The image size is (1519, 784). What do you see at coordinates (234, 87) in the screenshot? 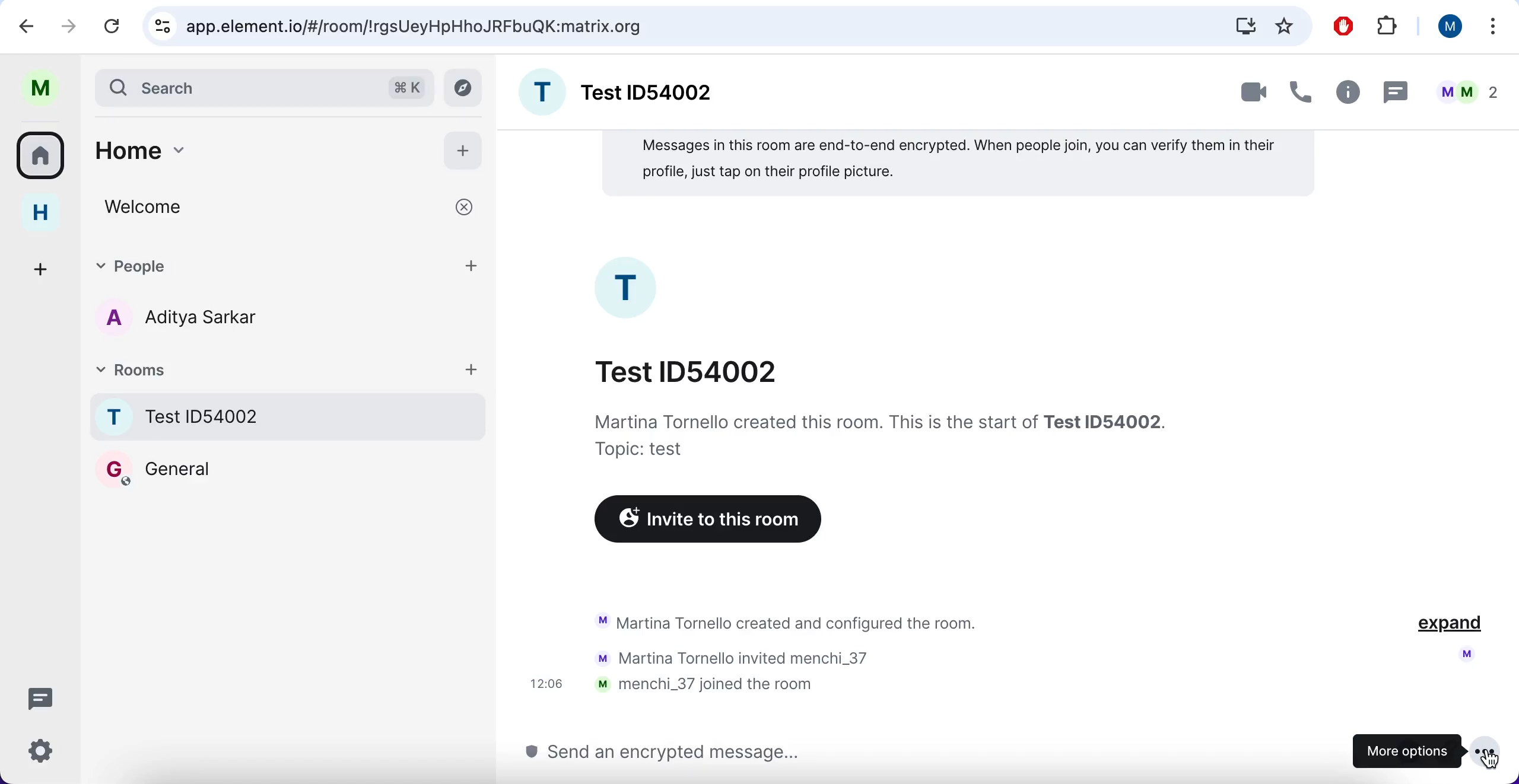
I see `search` at bounding box center [234, 87].